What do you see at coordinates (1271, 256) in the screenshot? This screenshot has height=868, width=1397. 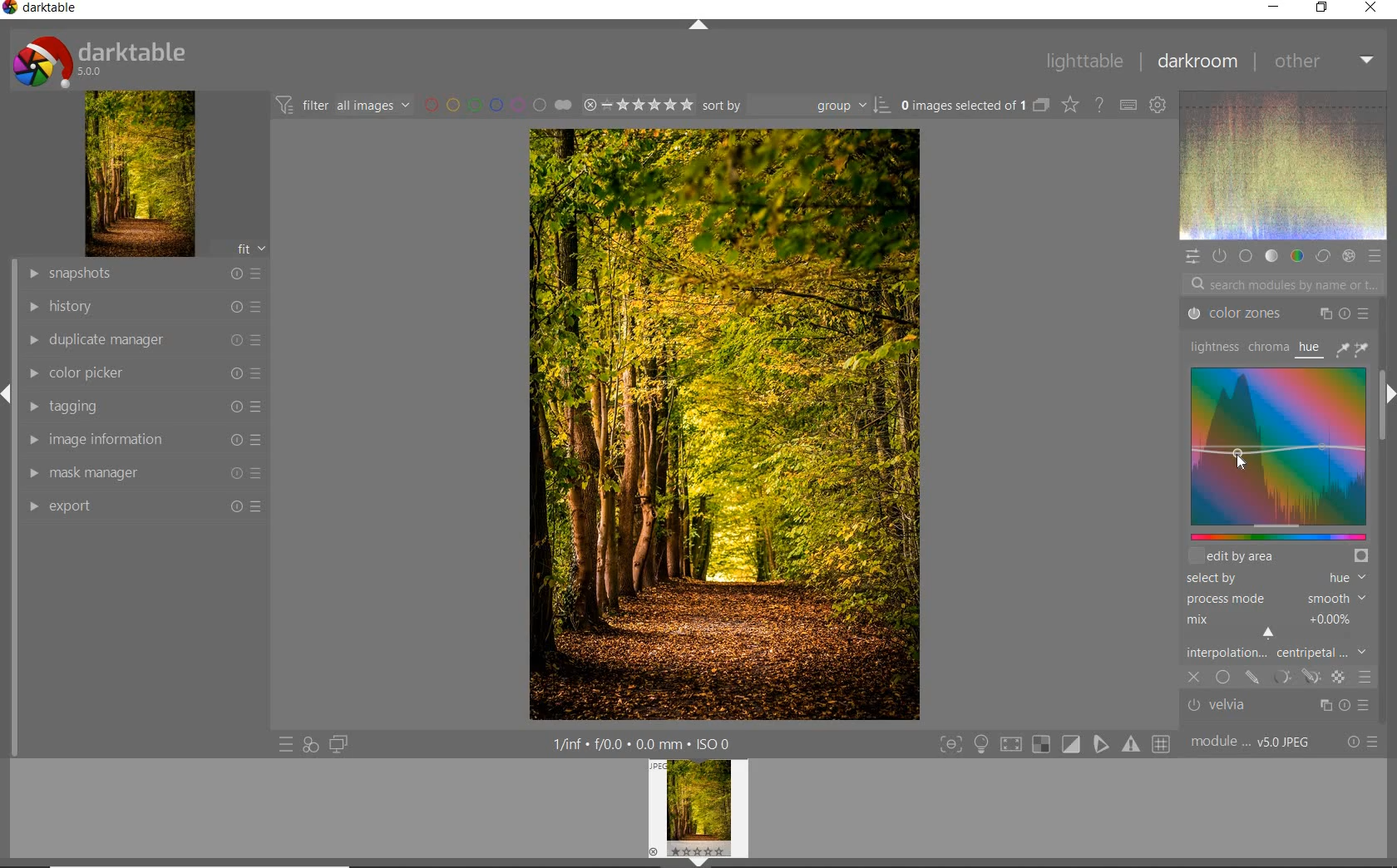 I see `TONE ` at bounding box center [1271, 256].